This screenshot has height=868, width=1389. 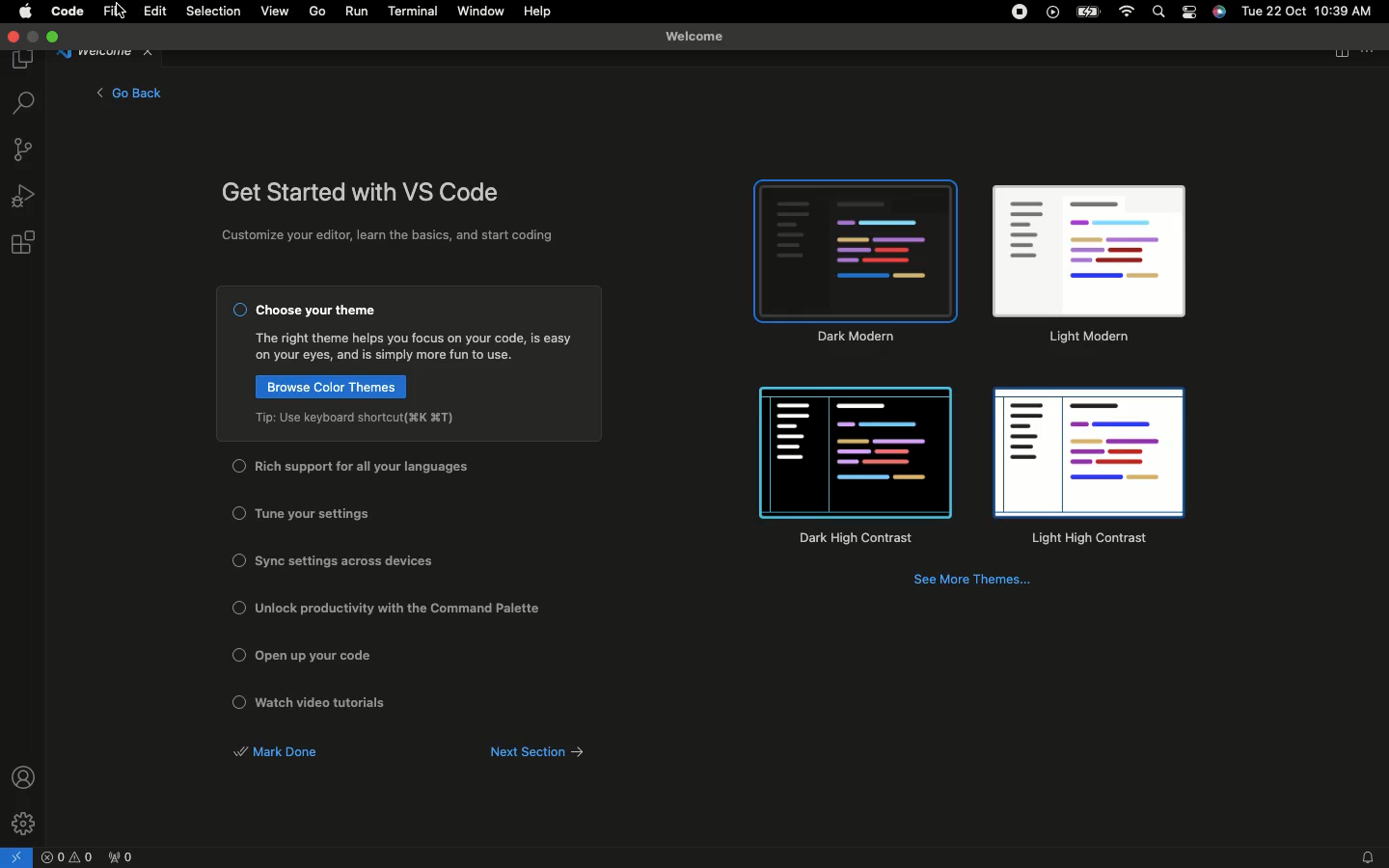 I want to click on minimize, so click(x=34, y=38).